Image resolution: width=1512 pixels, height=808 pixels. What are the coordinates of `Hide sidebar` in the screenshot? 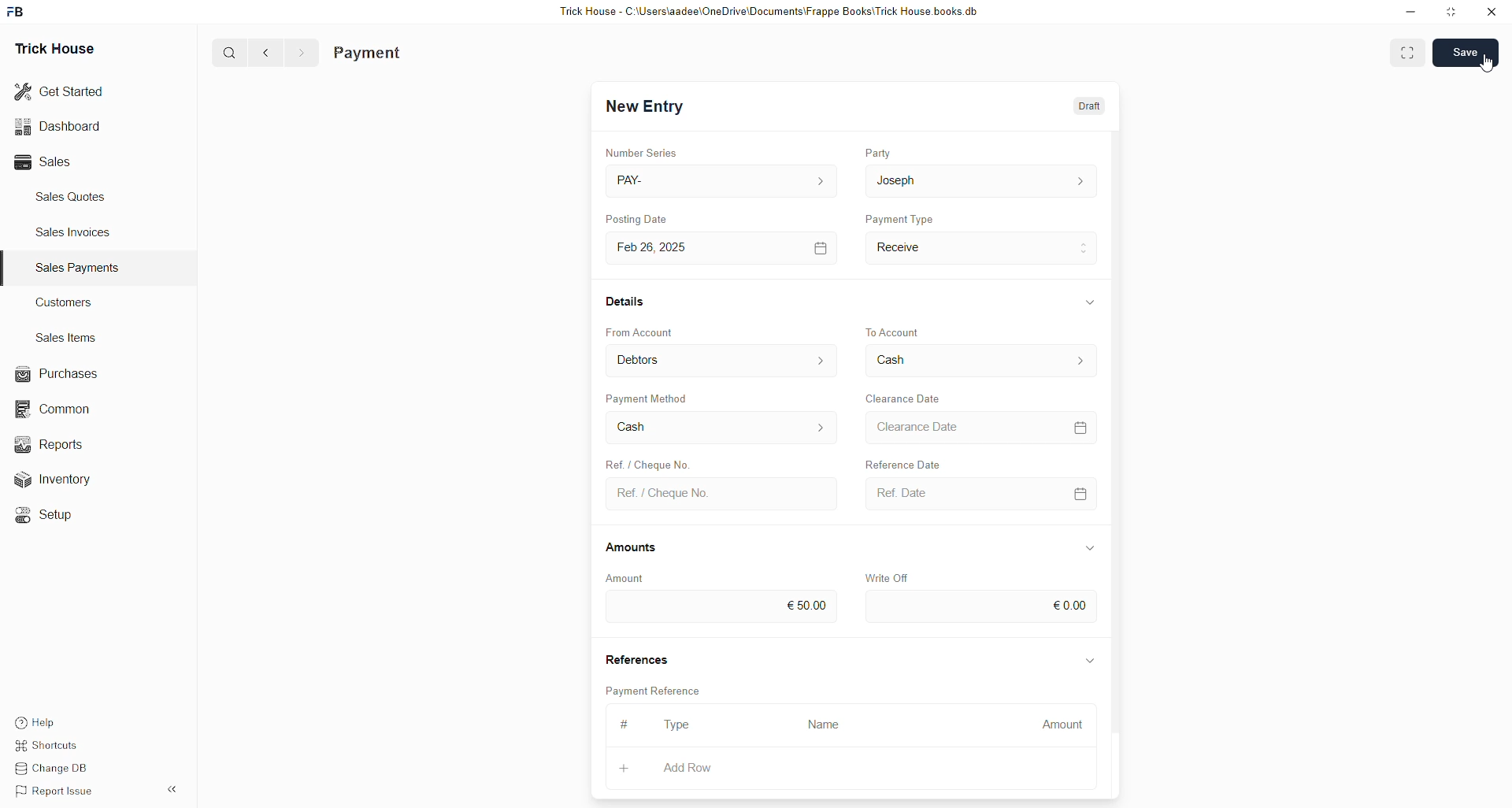 It's located at (172, 789).